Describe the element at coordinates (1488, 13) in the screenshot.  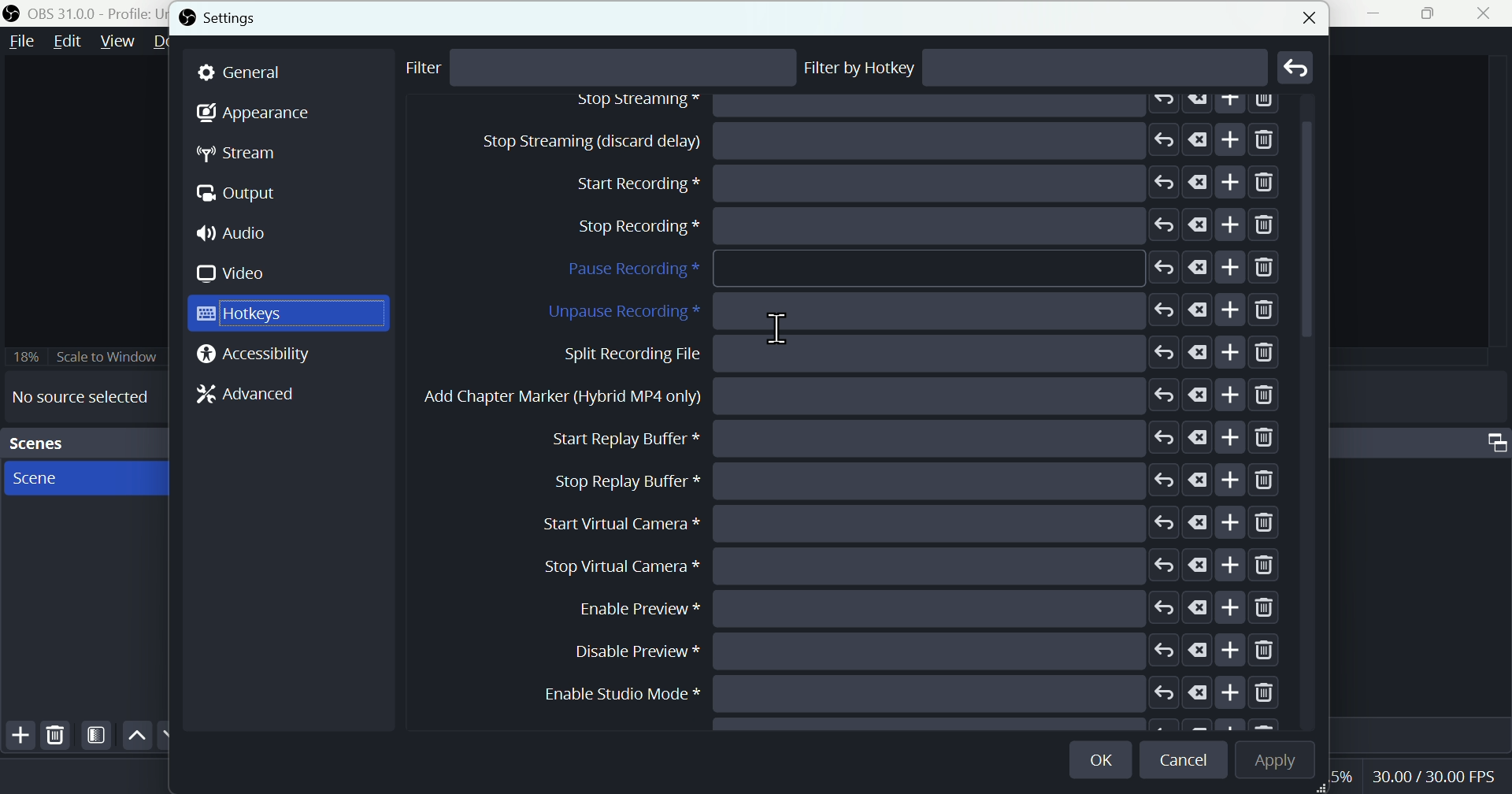
I see `close` at that location.